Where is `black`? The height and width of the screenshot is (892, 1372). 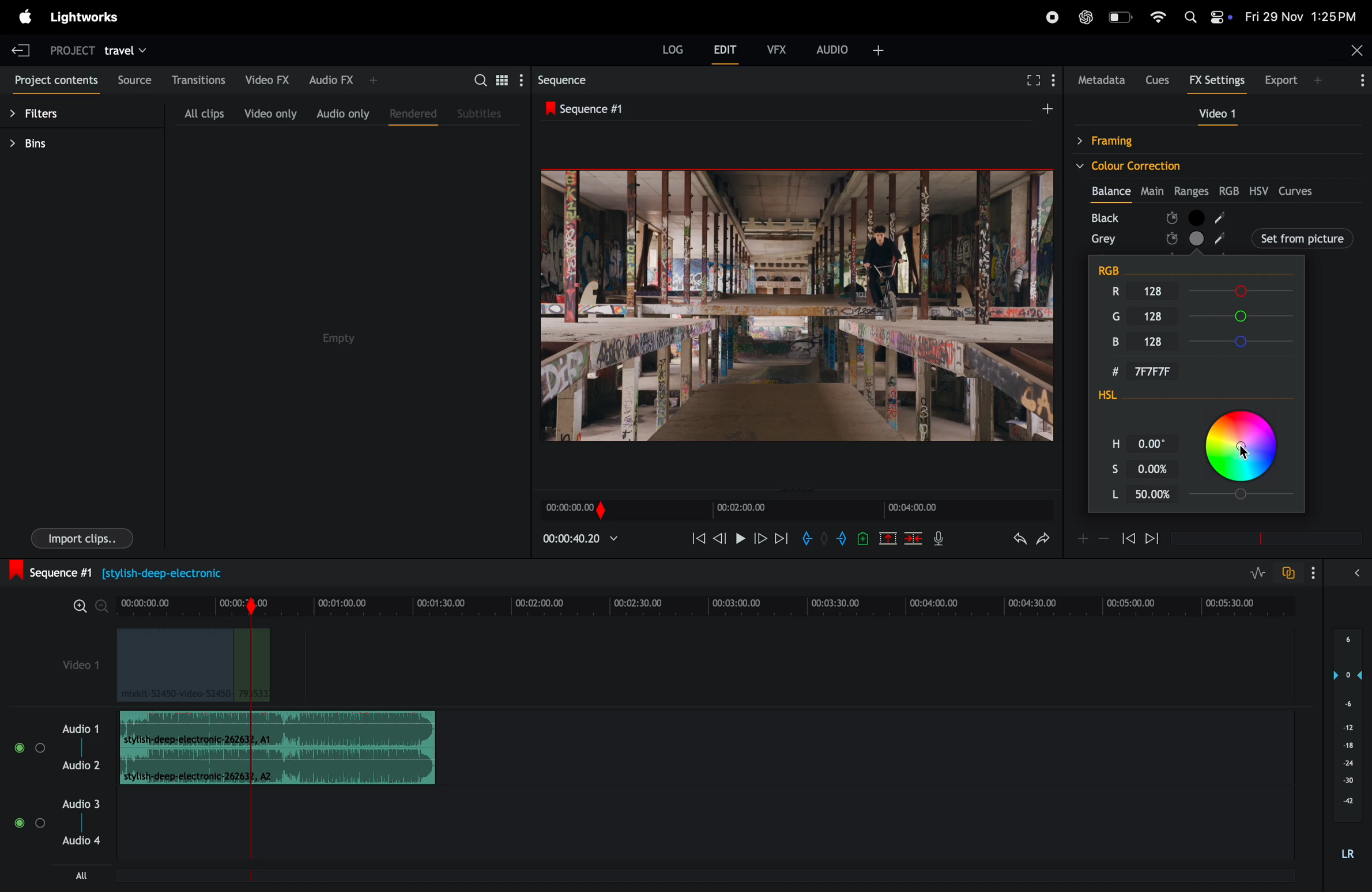 black is located at coordinates (1110, 217).